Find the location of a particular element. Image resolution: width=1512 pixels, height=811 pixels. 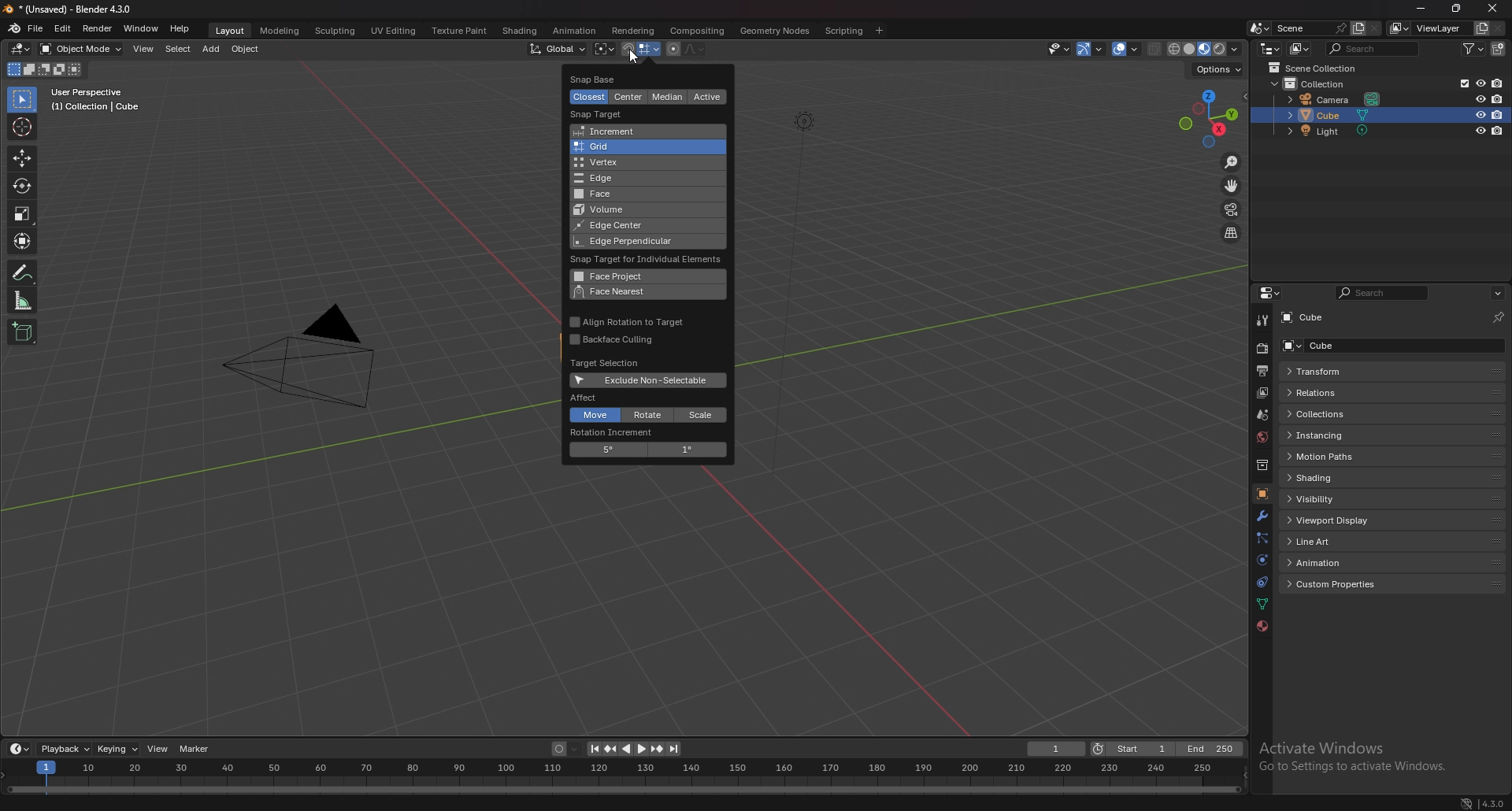

keying is located at coordinates (117, 749).